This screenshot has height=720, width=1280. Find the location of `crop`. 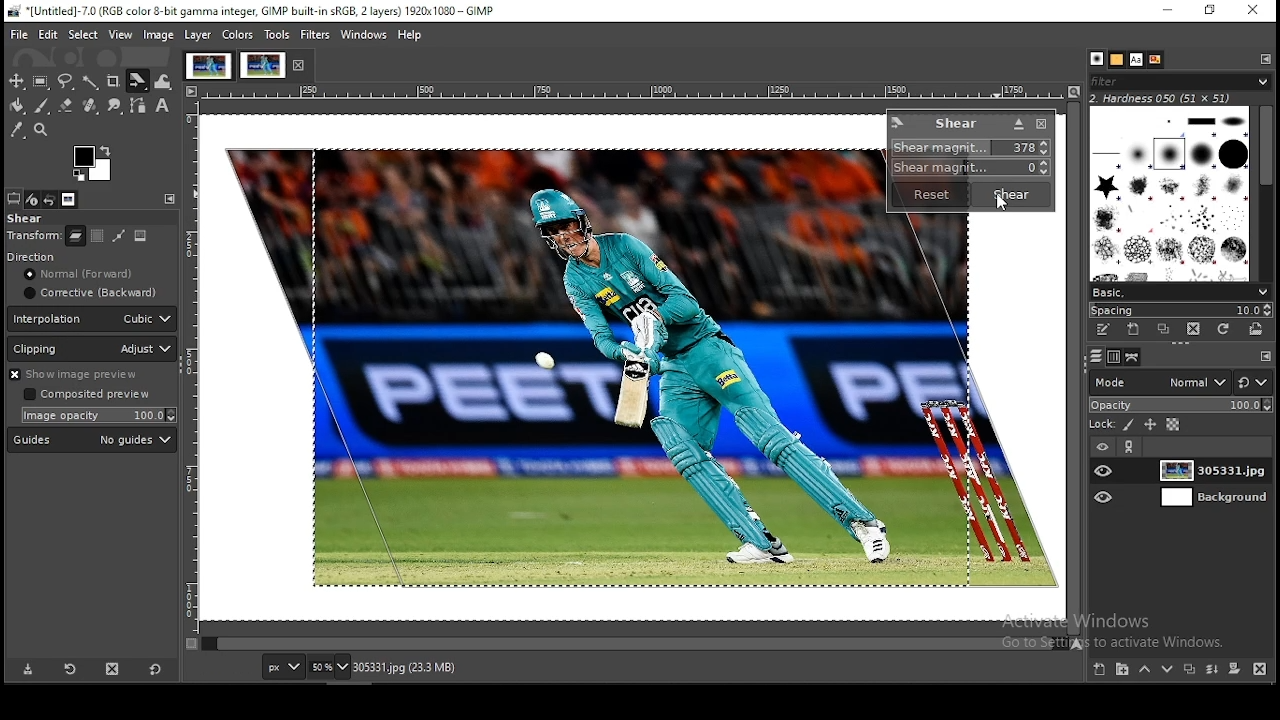

crop is located at coordinates (114, 80).